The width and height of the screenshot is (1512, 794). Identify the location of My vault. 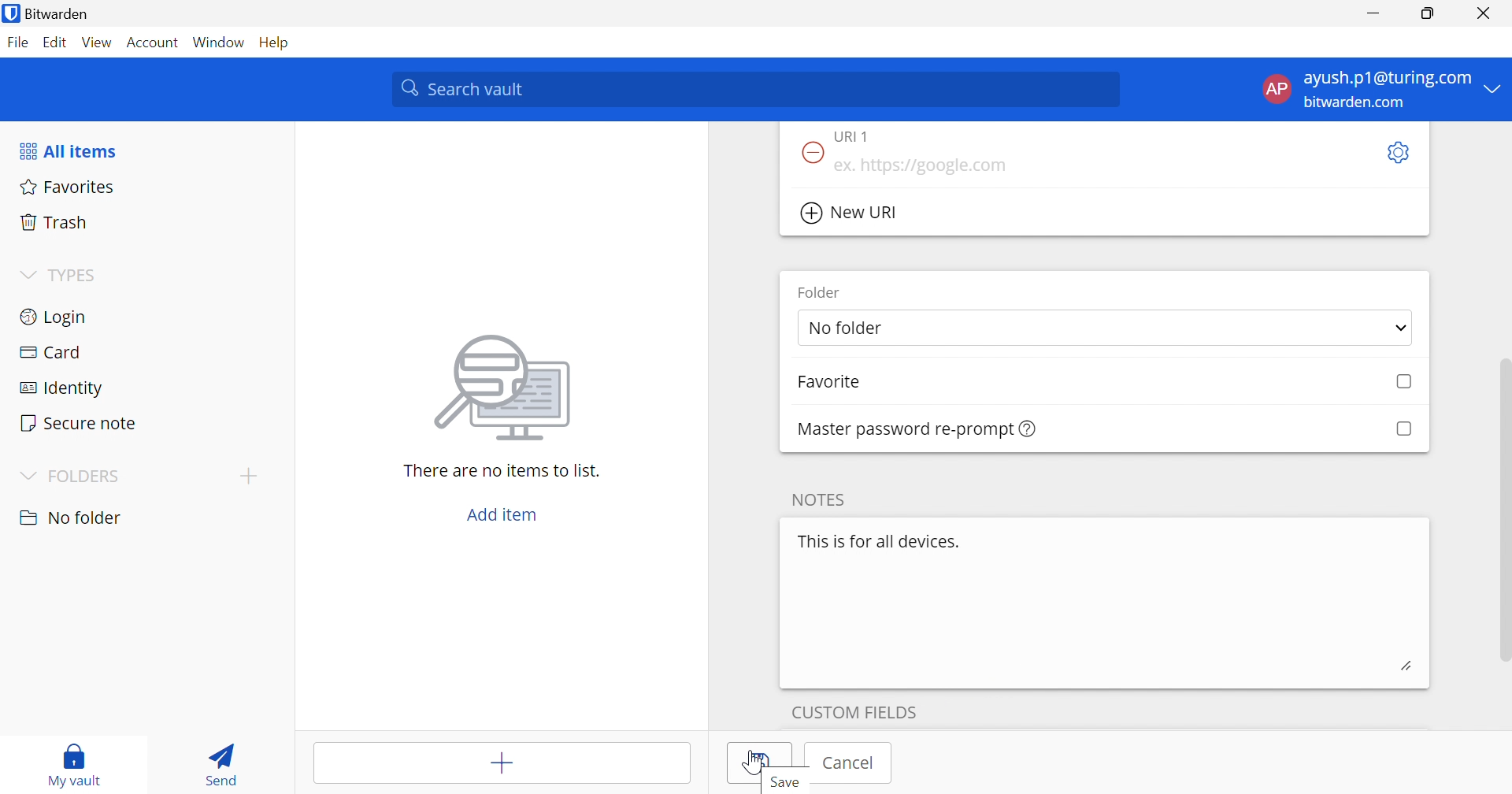
(75, 757).